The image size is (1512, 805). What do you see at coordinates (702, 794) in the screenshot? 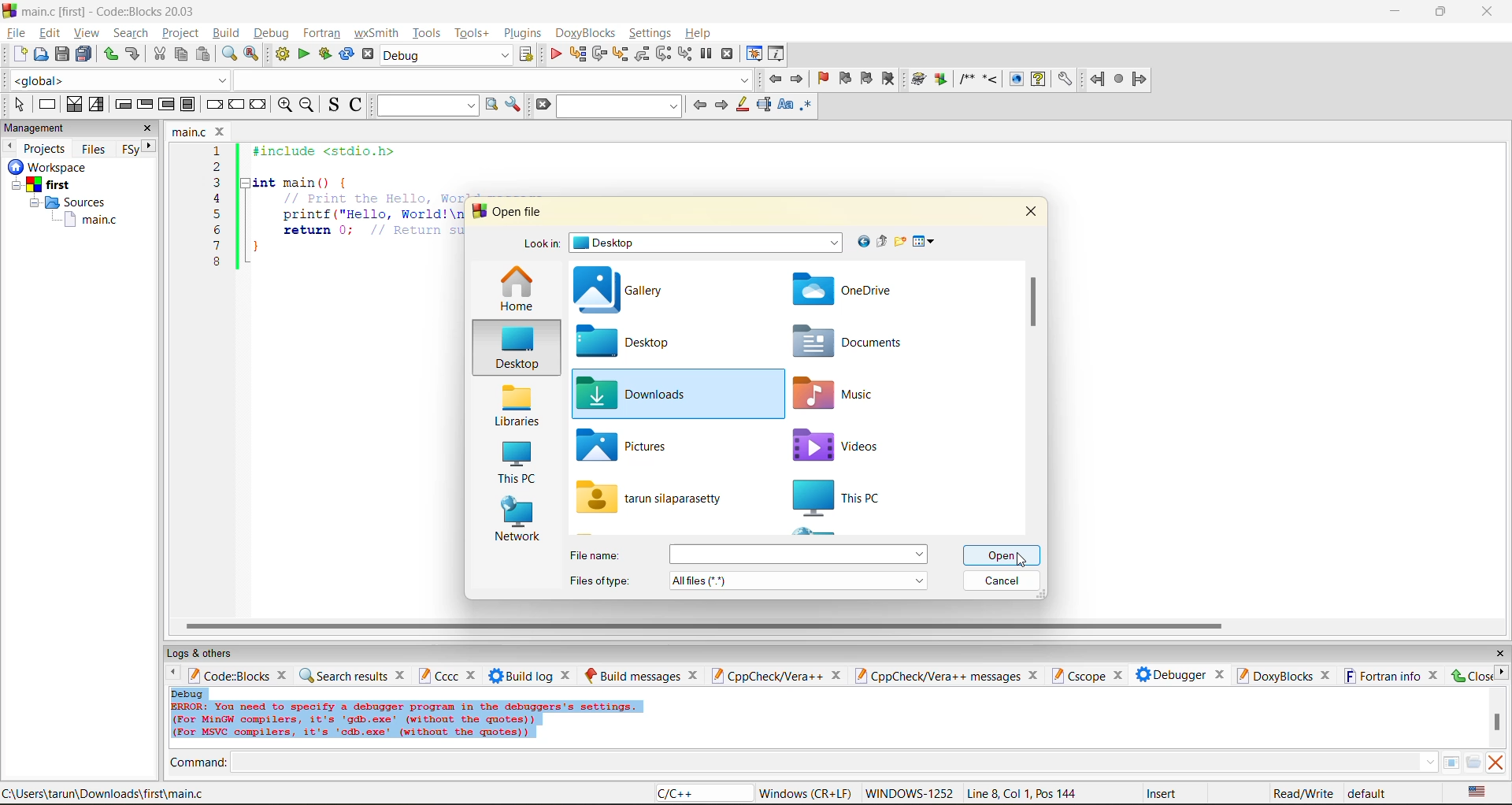
I see `language` at bounding box center [702, 794].